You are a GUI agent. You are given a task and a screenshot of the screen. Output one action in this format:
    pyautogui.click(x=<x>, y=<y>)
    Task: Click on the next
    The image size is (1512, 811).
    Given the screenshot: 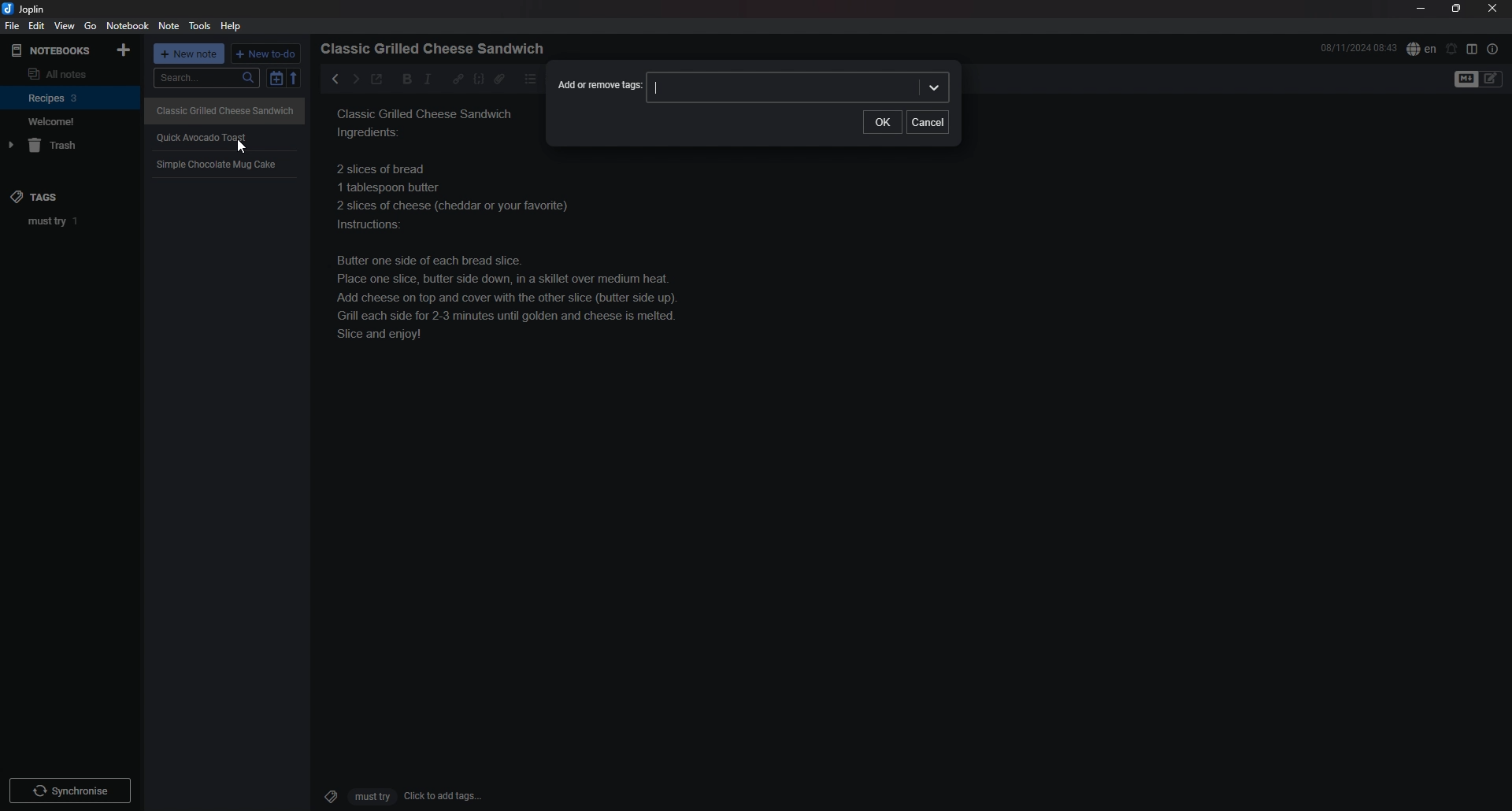 What is the action you would take?
    pyautogui.click(x=354, y=79)
    